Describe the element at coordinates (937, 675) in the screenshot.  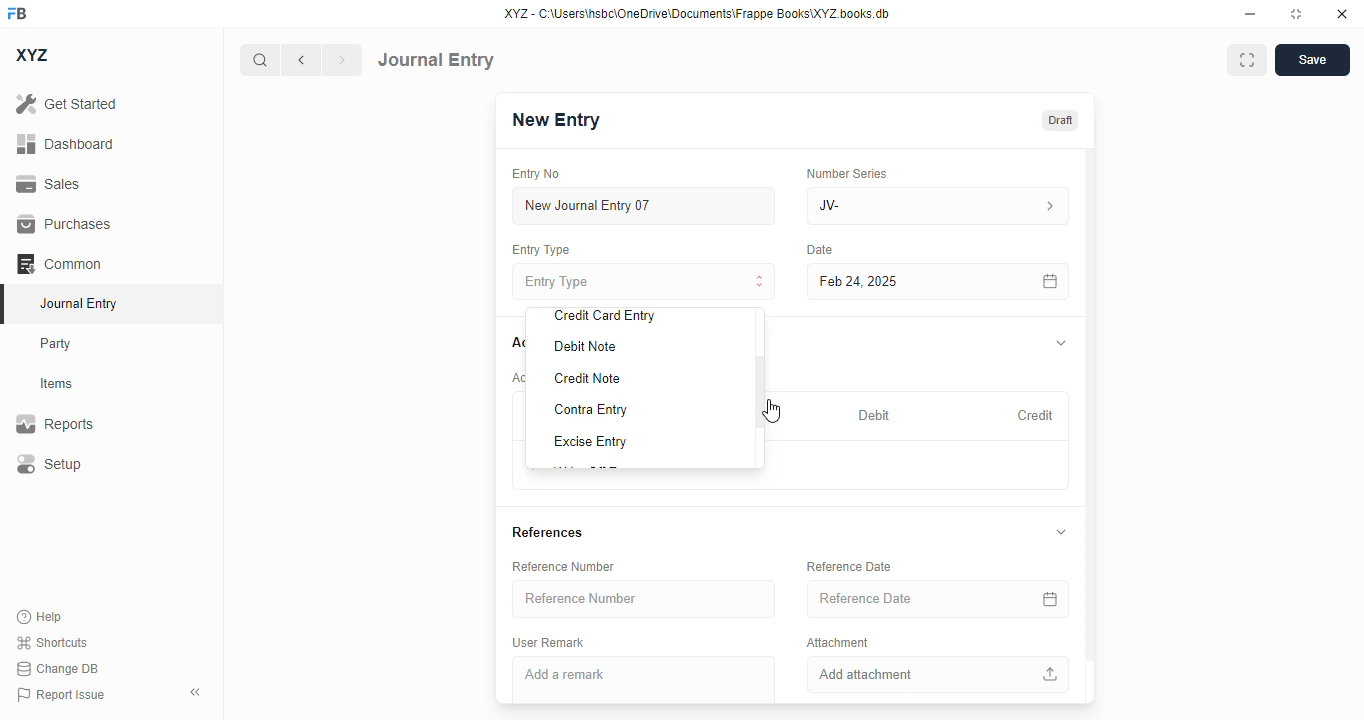
I see `add attachment` at that location.